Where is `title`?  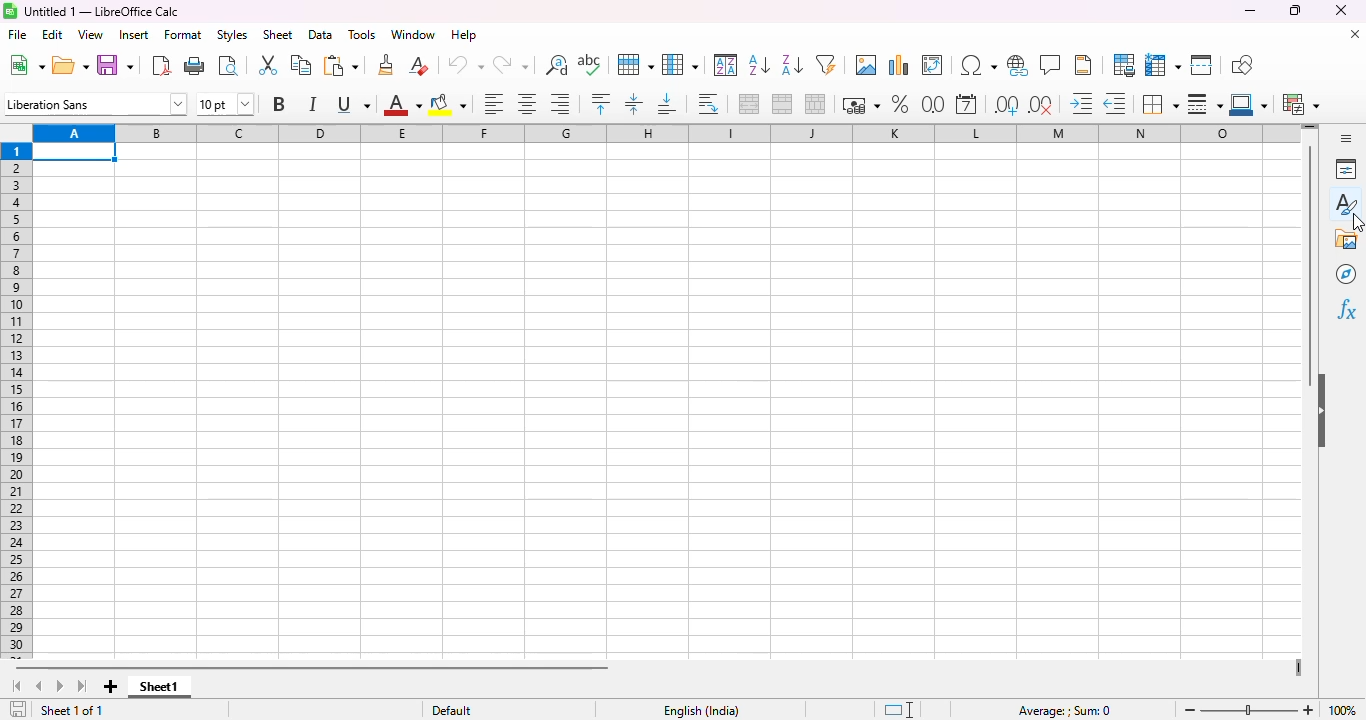
title is located at coordinates (102, 11).